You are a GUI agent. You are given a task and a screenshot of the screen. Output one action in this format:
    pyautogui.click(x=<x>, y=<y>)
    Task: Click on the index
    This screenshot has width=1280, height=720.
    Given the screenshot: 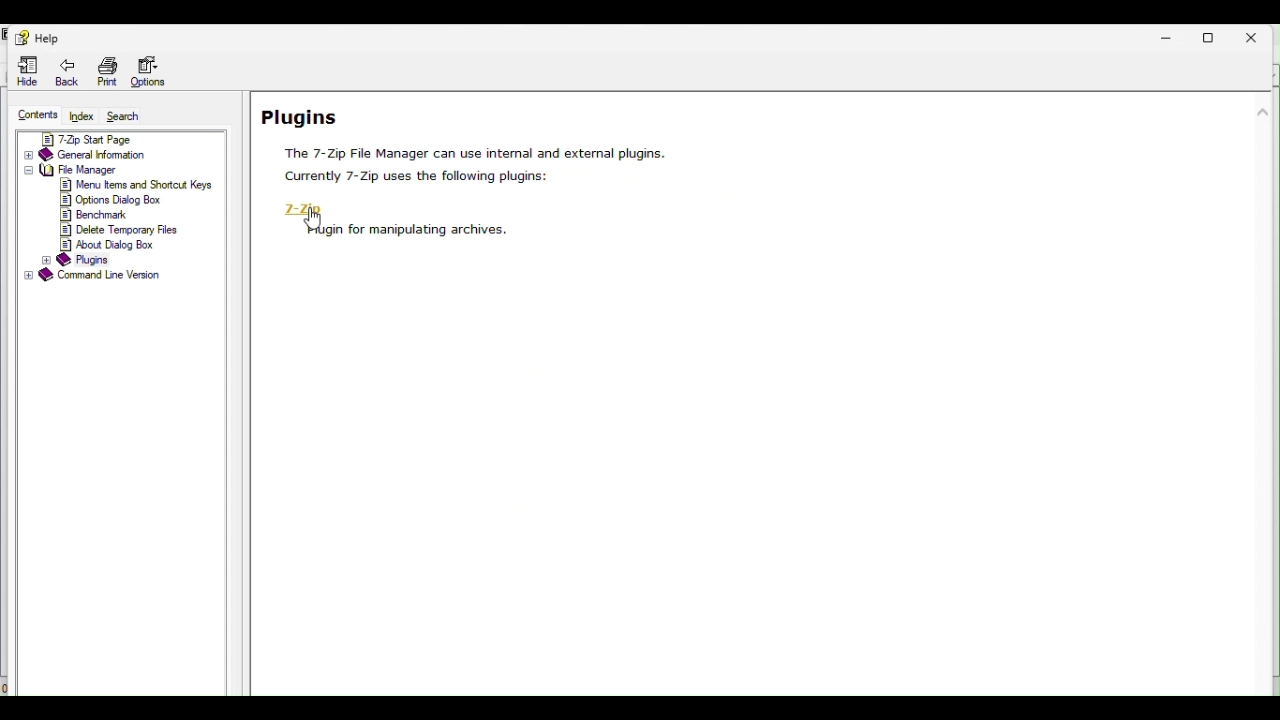 What is the action you would take?
    pyautogui.click(x=80, y=117)
    